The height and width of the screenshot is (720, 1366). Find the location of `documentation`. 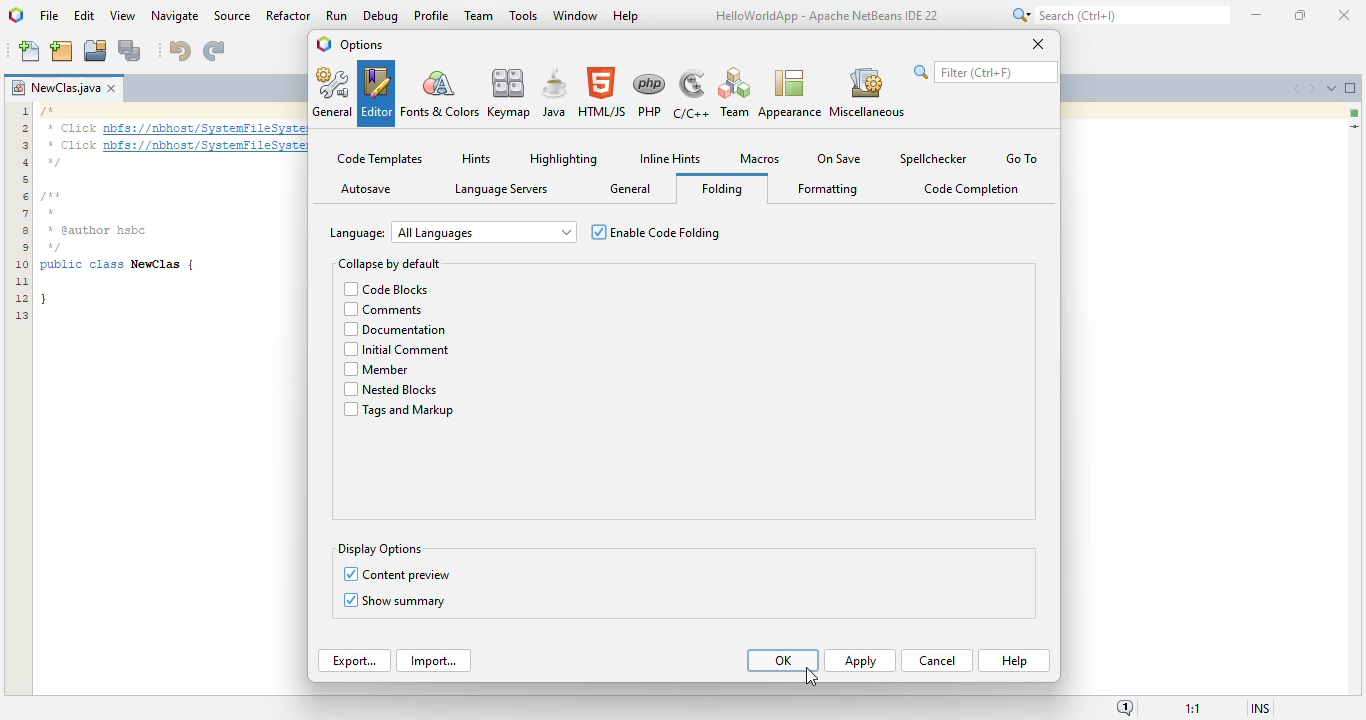

documentation is located at coordinates (393, 331).